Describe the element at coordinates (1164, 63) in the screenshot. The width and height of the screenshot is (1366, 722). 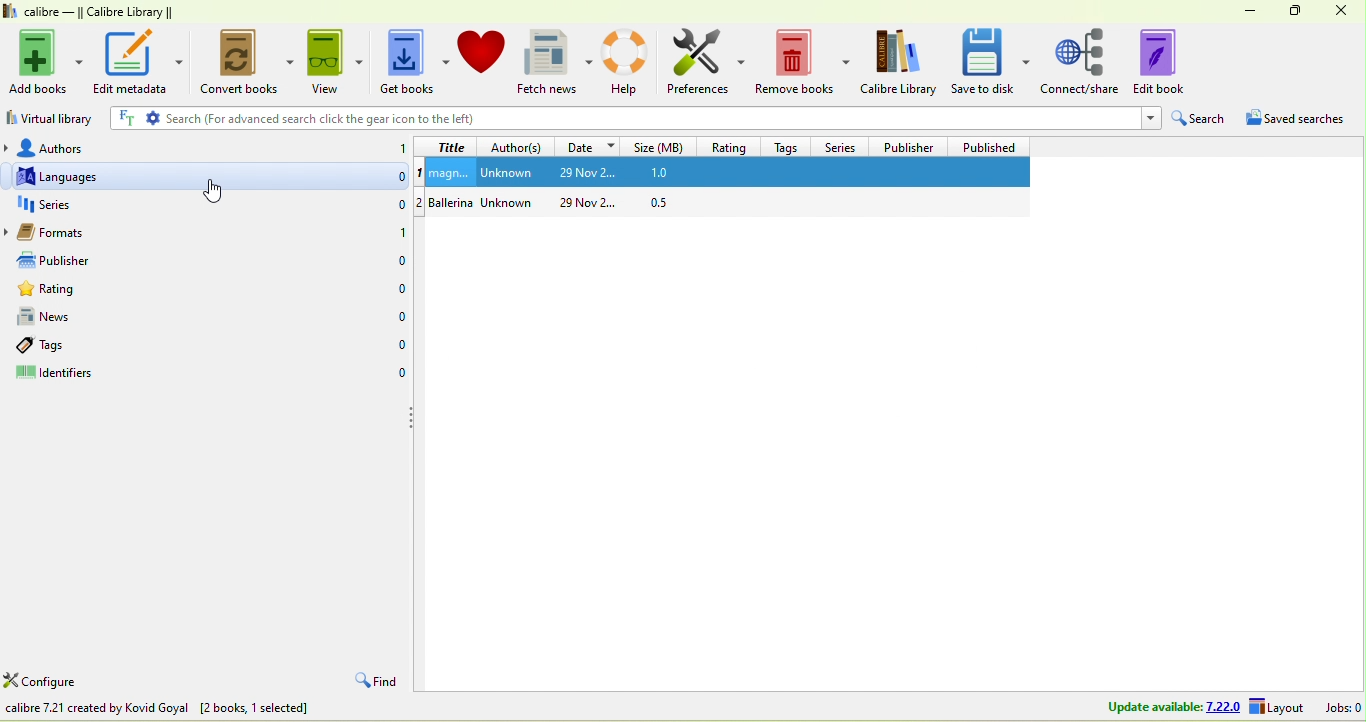
I see `edit book` at that location.